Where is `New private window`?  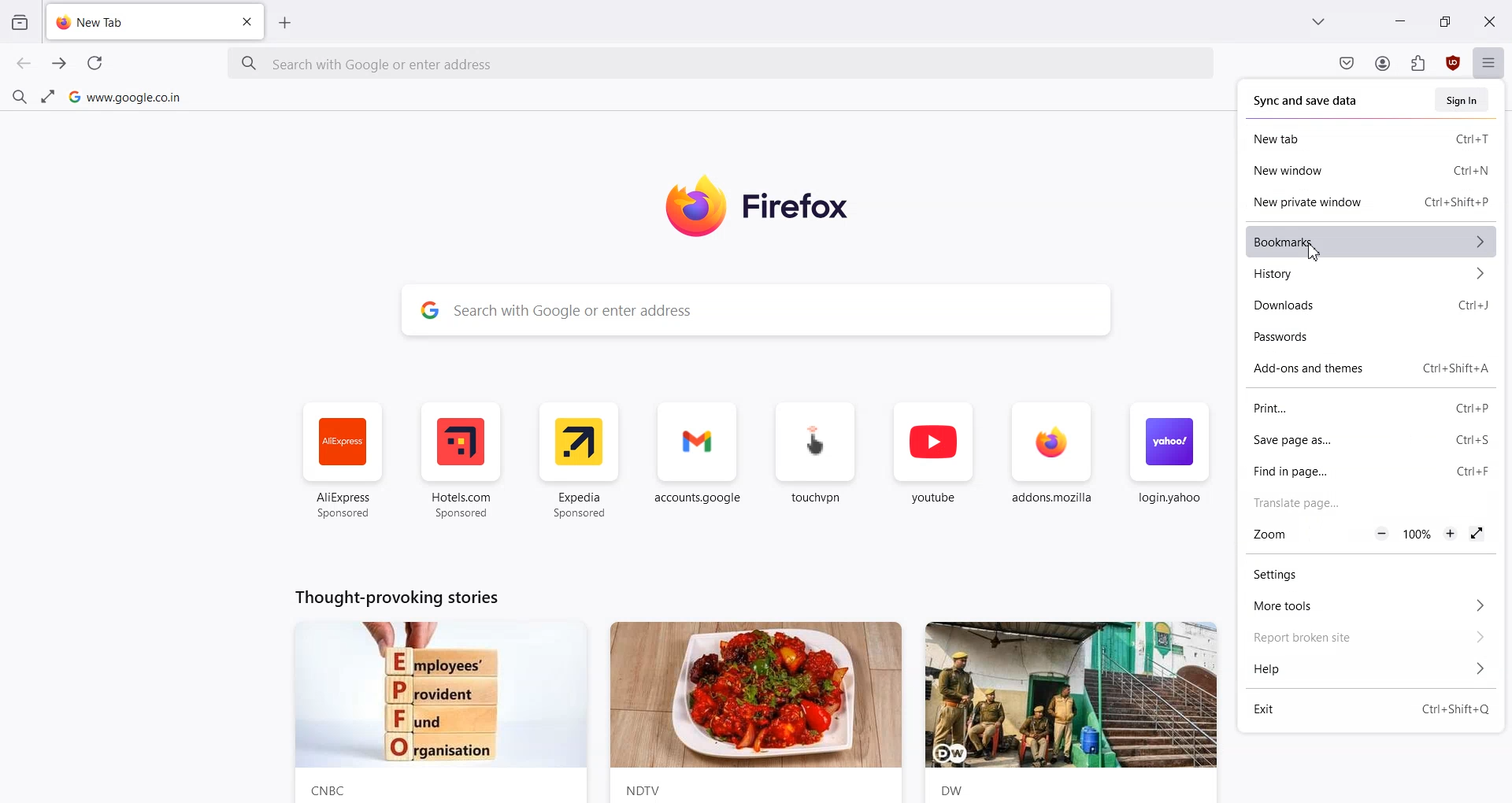 New private window is located at coordinates (1325, 202).